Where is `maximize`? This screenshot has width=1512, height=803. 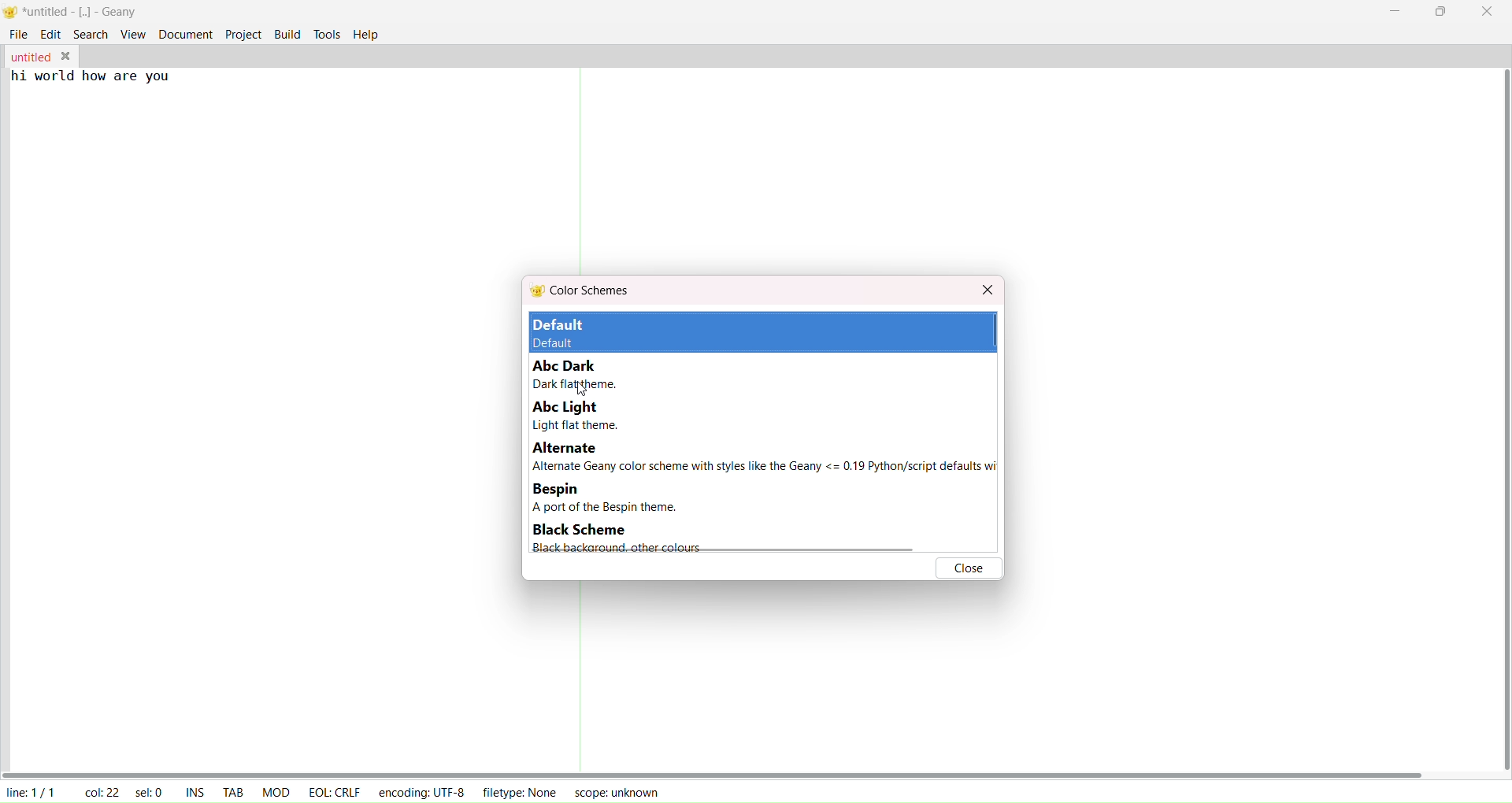
maximize is located at coordinates (1442, 12).